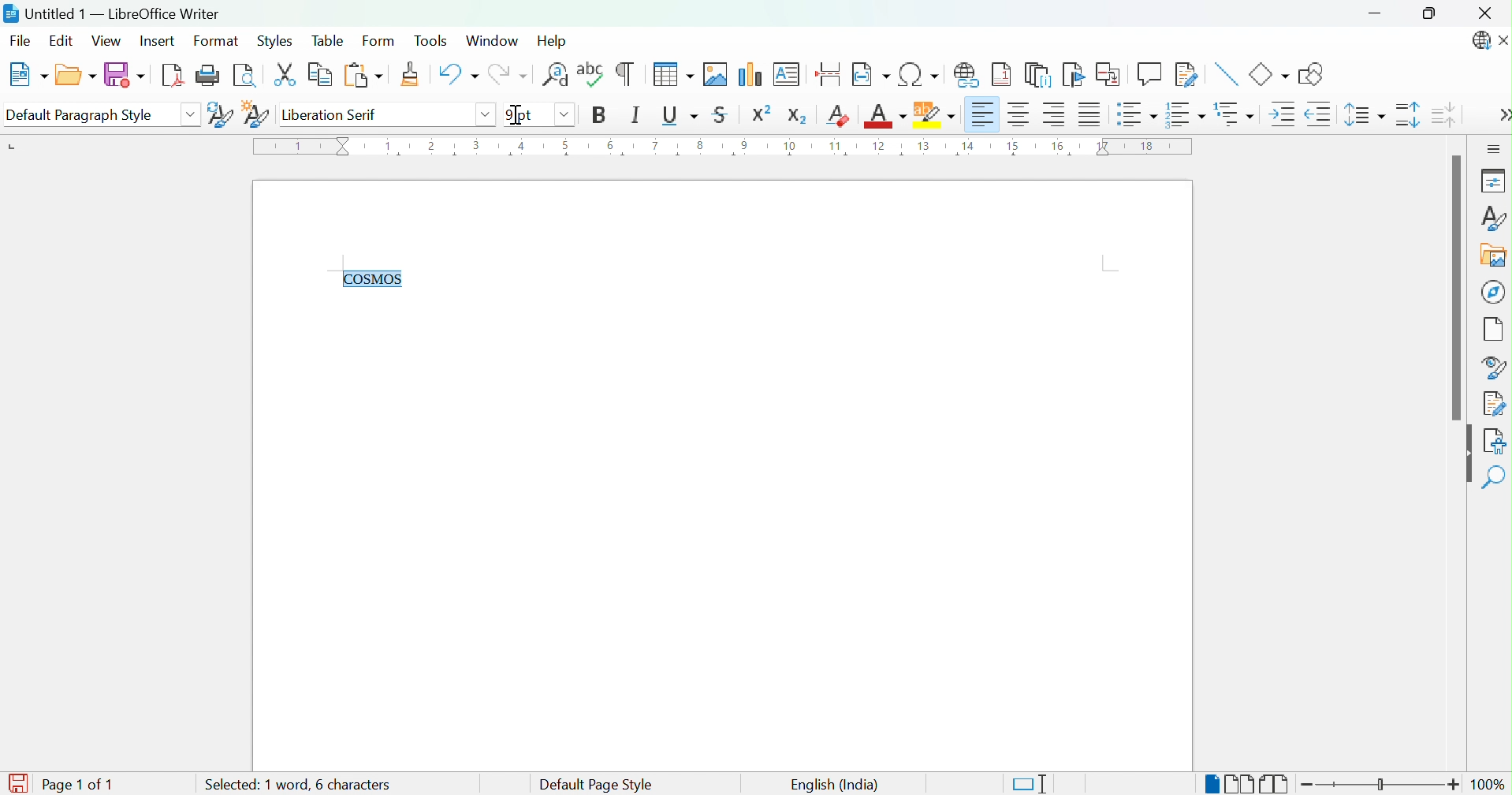 The image size is (1512, 795). What do you see at coordinates (982, 114) in the screenshot?
I see `Align Left` at bounding box center [982, 114].